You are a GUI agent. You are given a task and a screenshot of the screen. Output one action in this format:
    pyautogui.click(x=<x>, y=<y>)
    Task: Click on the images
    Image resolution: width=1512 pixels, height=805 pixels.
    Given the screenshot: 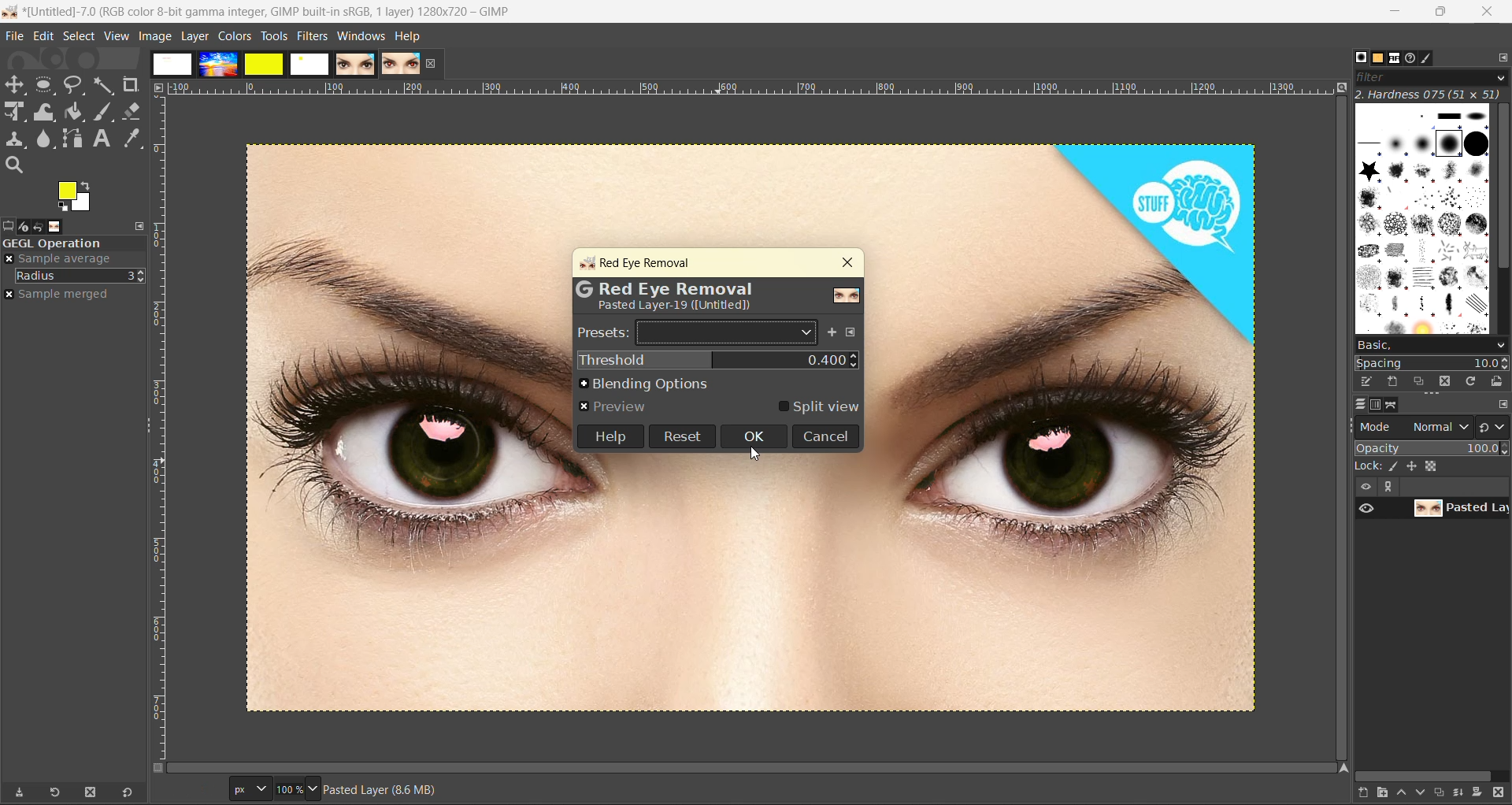 What is the action you would take?
    pyautogui.click(x=61, y=226)
    